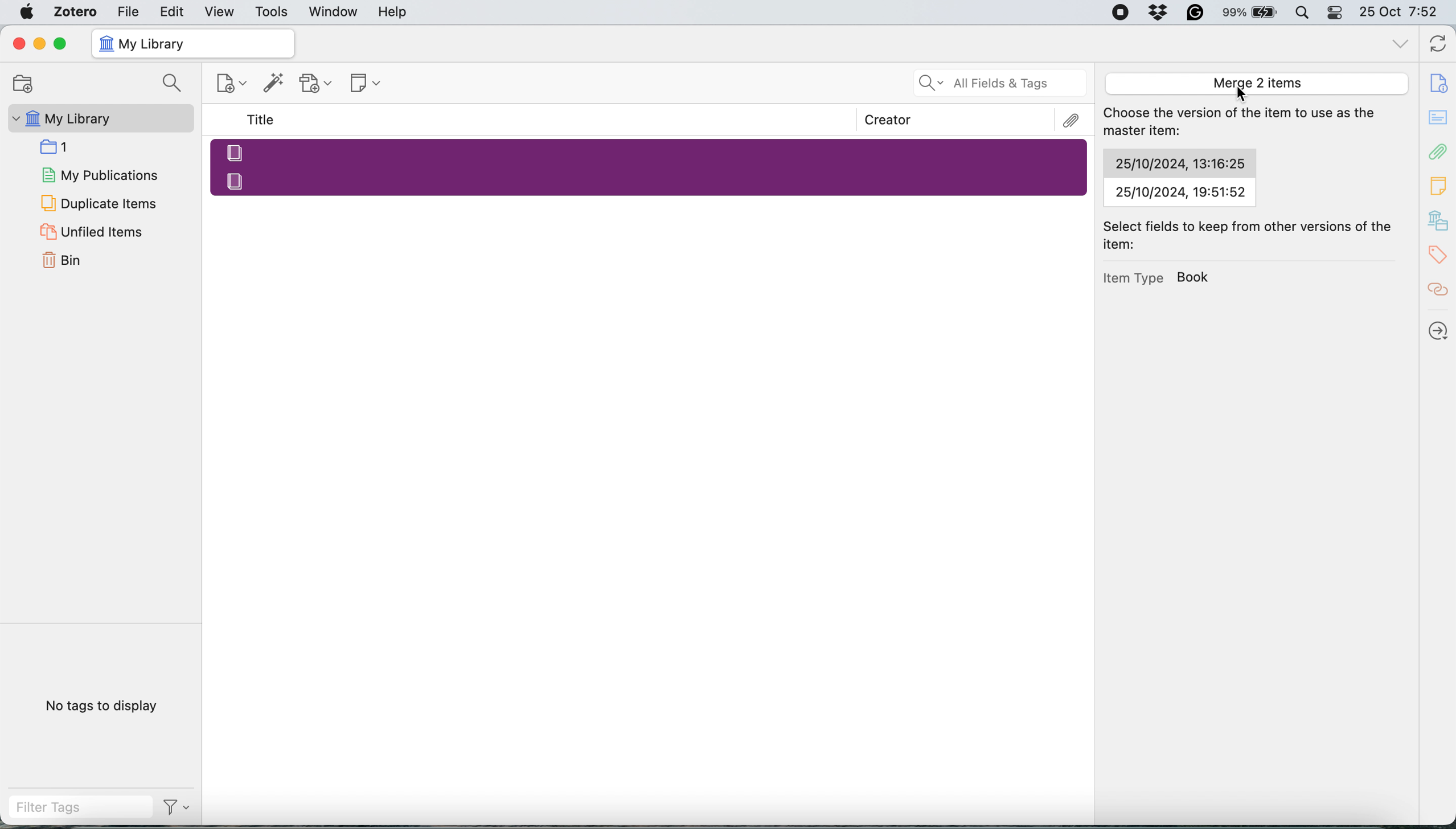 This screenshot has height=829, width=1456. I want to click on My Library, so click(192, 44).